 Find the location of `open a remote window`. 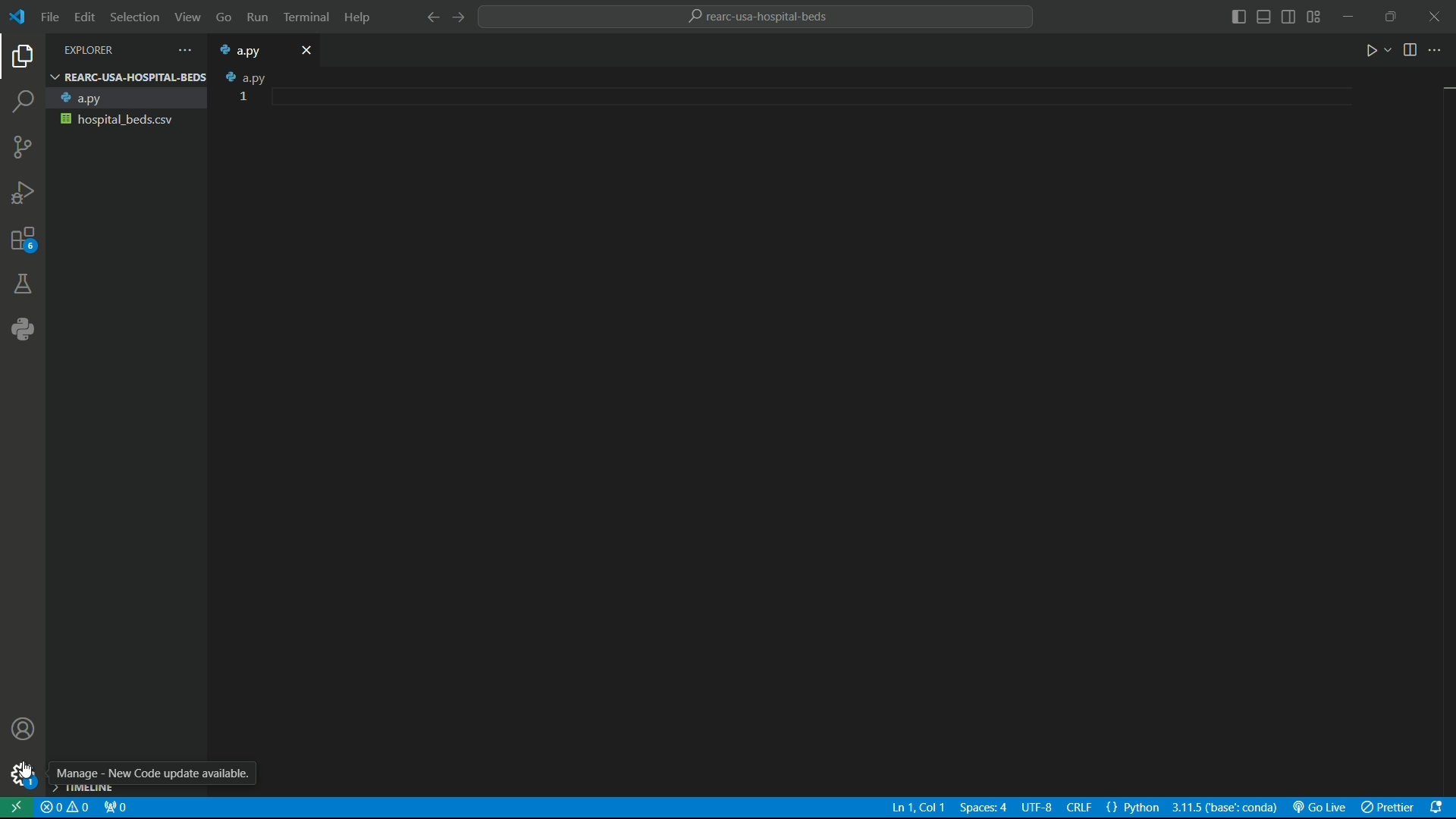

open a remote window is located at coordinates (17, 808).